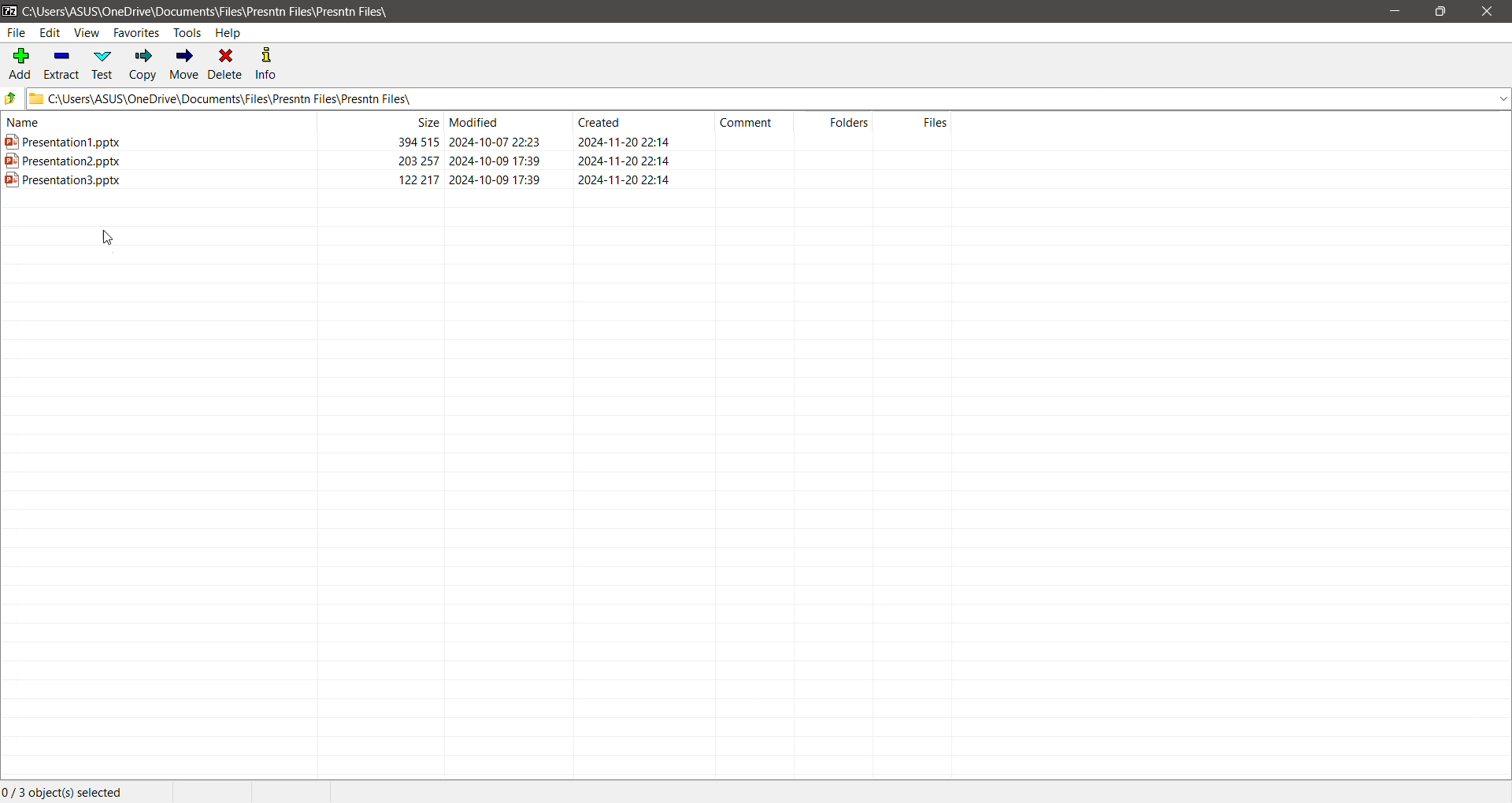  Describe the element at coordinates (849, 121) in the screenshot. I see `folders` at that location.